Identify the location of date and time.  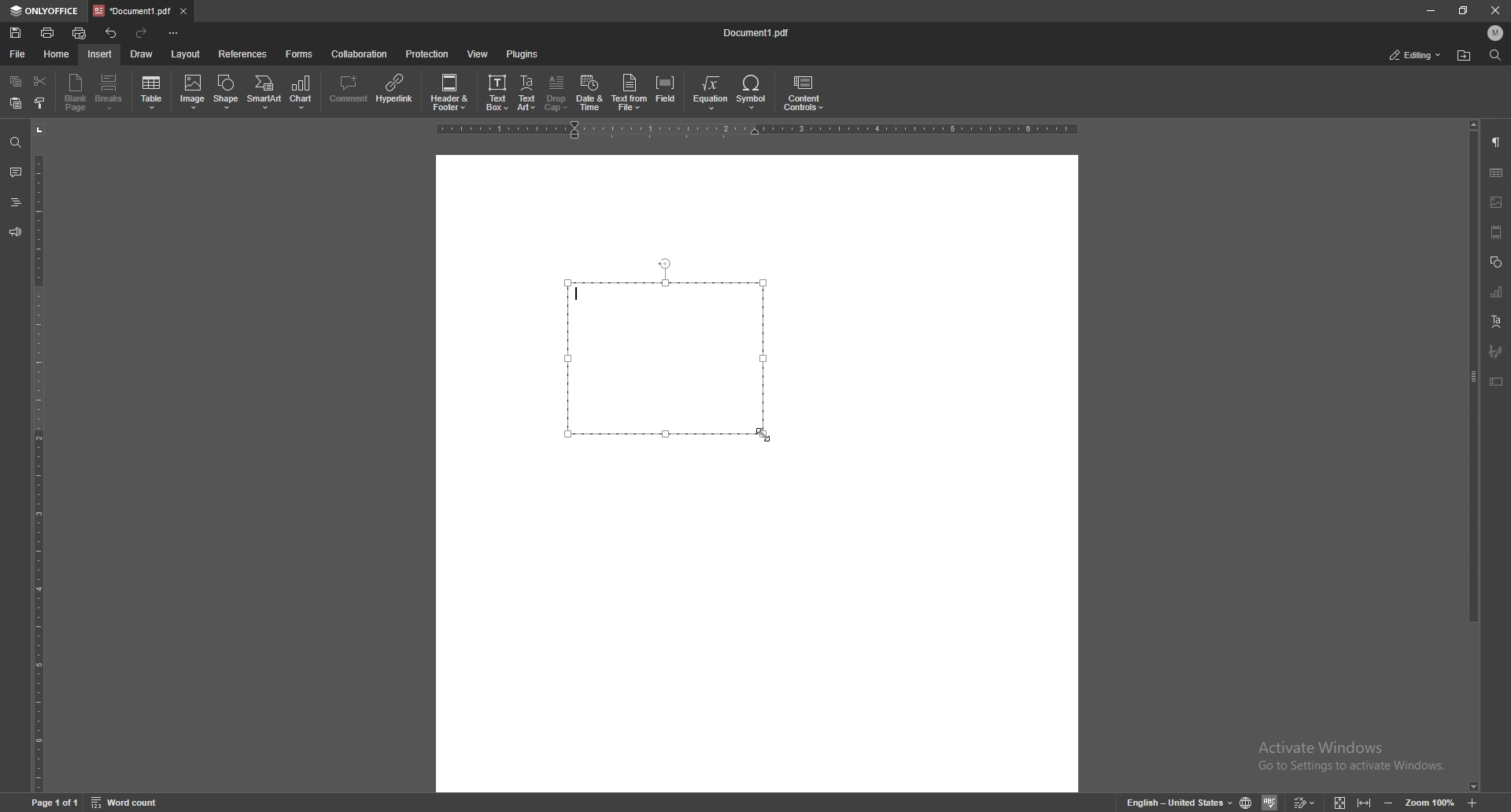
(589, 93).